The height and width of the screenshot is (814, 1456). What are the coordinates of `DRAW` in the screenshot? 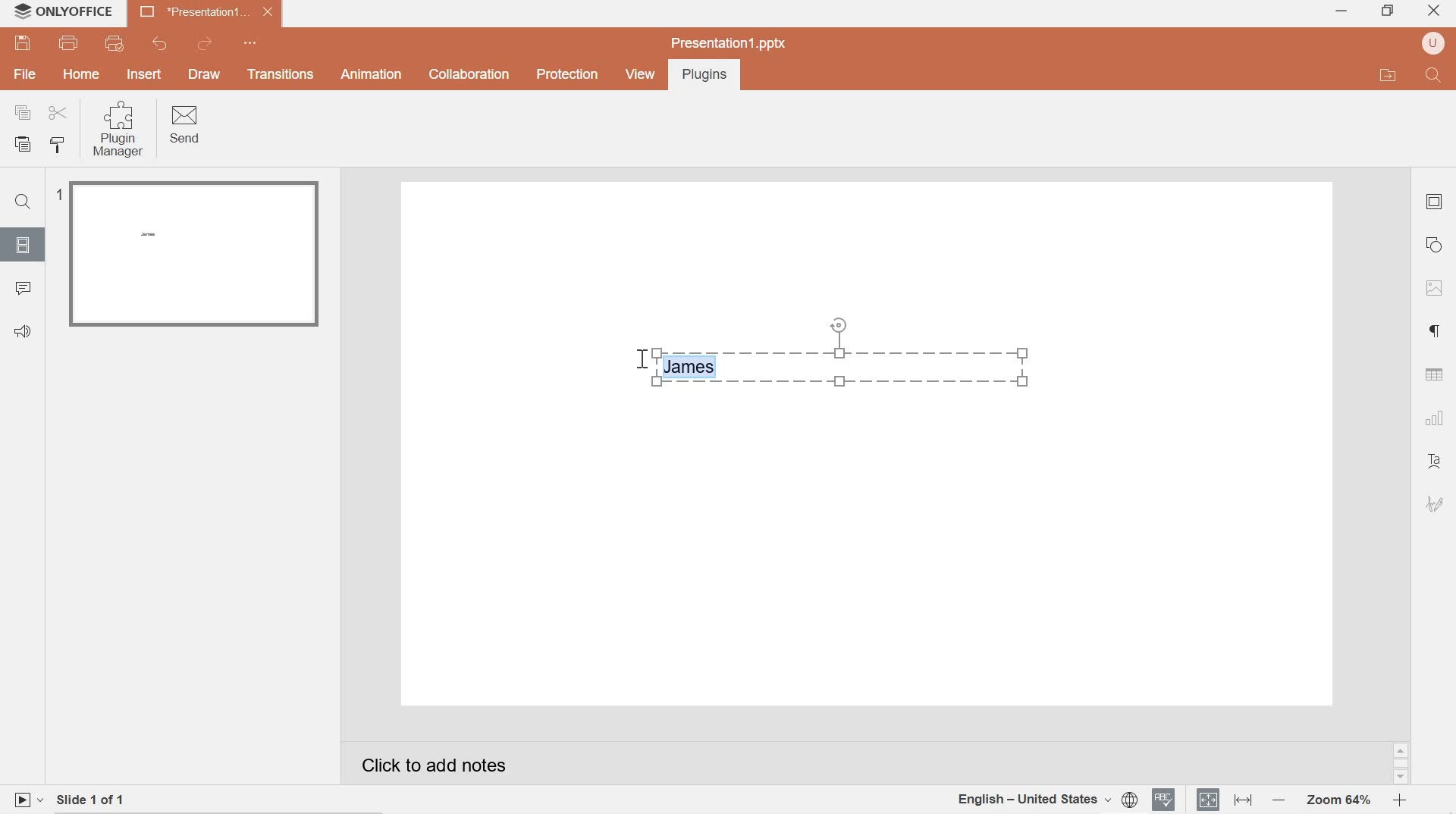 It's located at (207, 76).